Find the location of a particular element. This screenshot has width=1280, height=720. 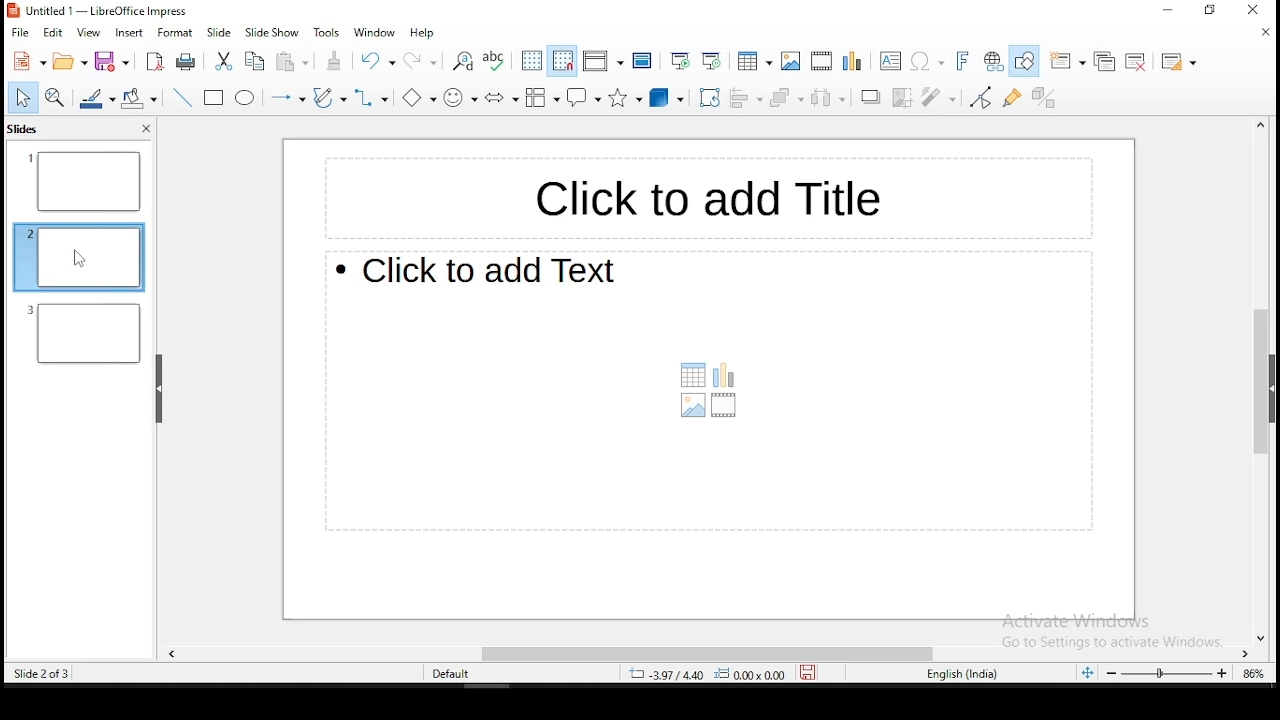

 slide layout is located at coordinates (1178, 62).